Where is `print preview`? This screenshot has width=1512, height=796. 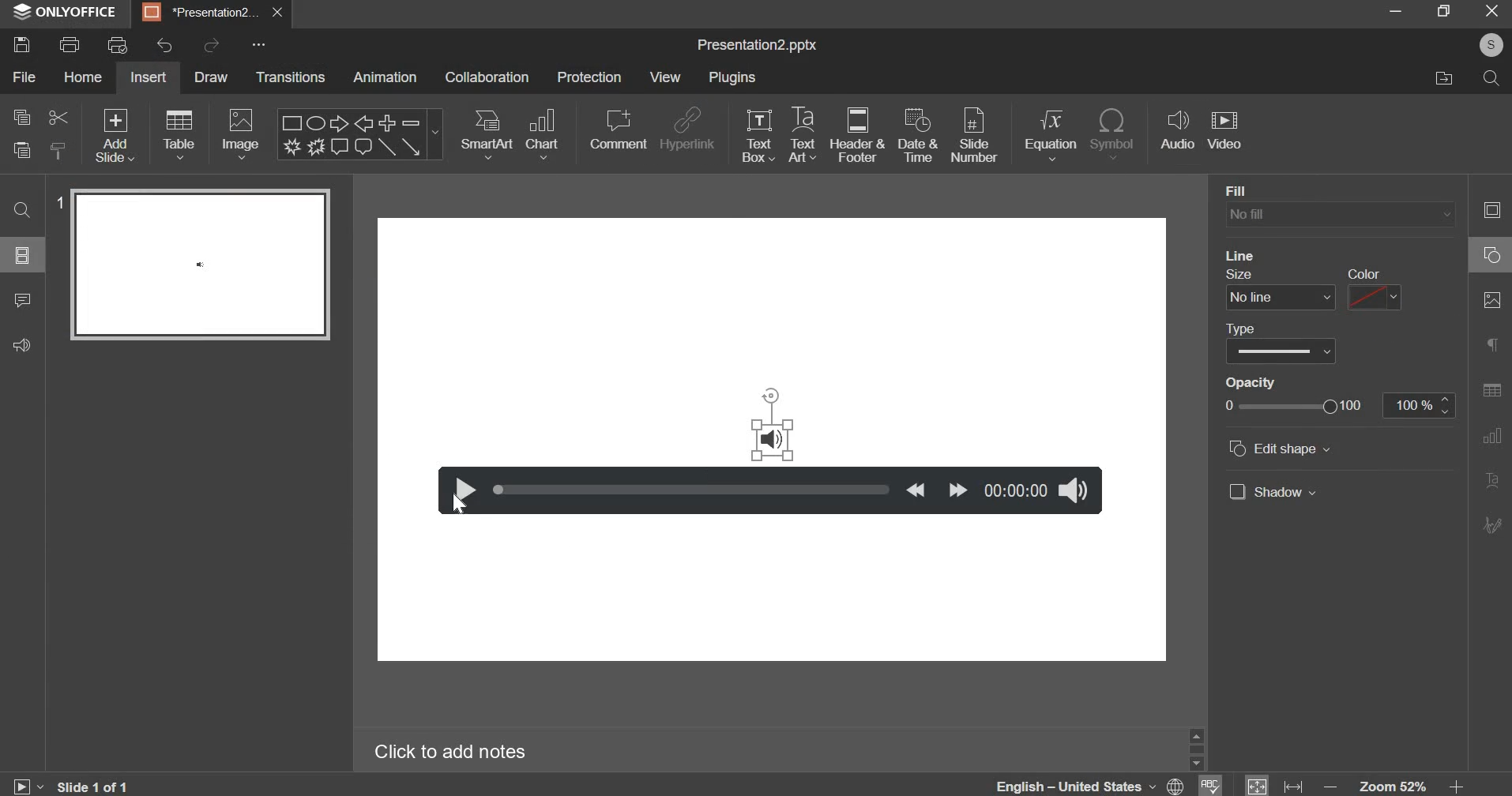
print preview is located at coordinates (119, 44).